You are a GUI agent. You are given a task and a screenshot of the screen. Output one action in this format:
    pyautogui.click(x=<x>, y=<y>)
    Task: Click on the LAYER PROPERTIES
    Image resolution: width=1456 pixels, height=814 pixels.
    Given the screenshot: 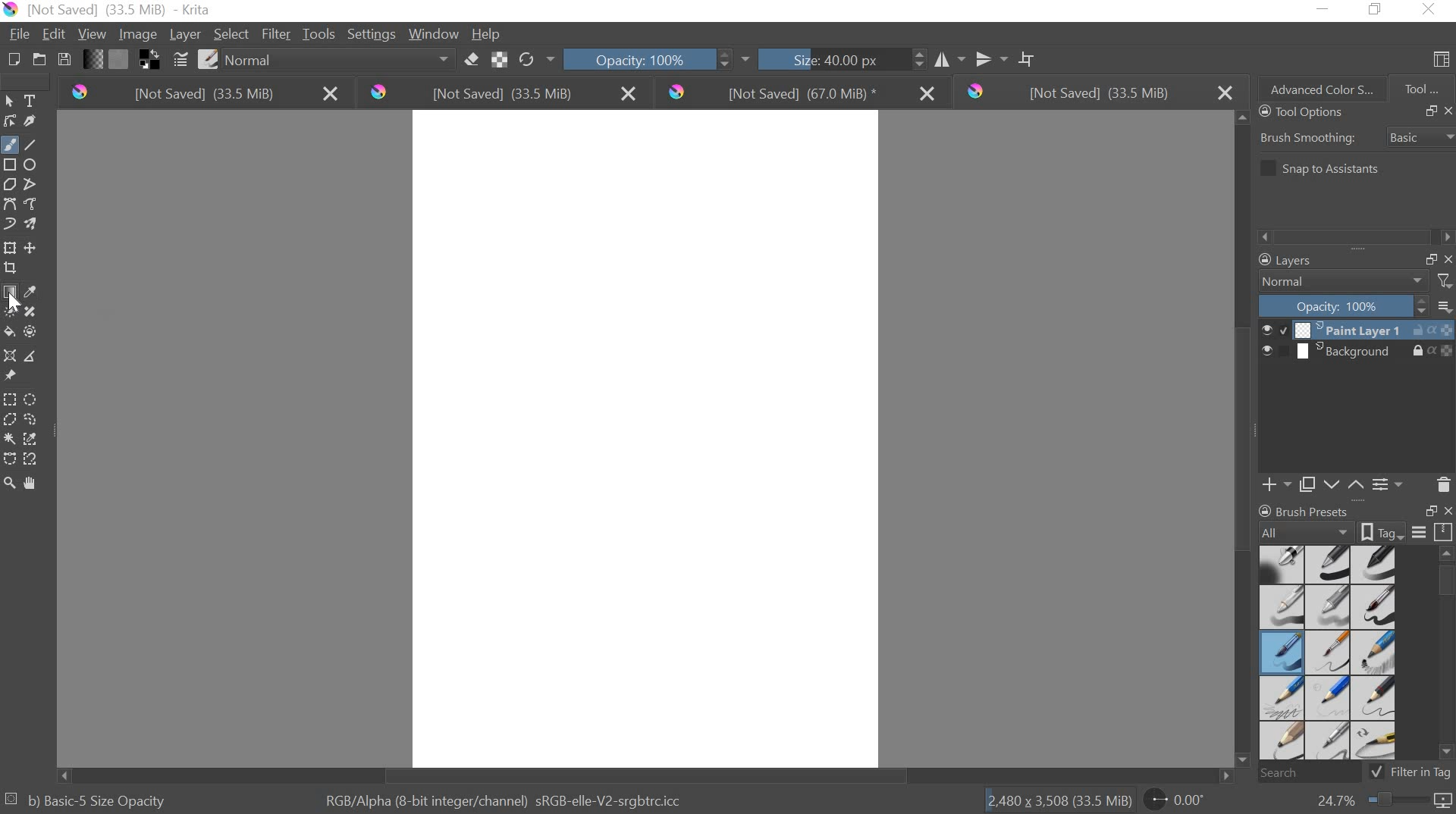 What is the action you would take?
    pyautogui.click(x=1388, y=484)
    